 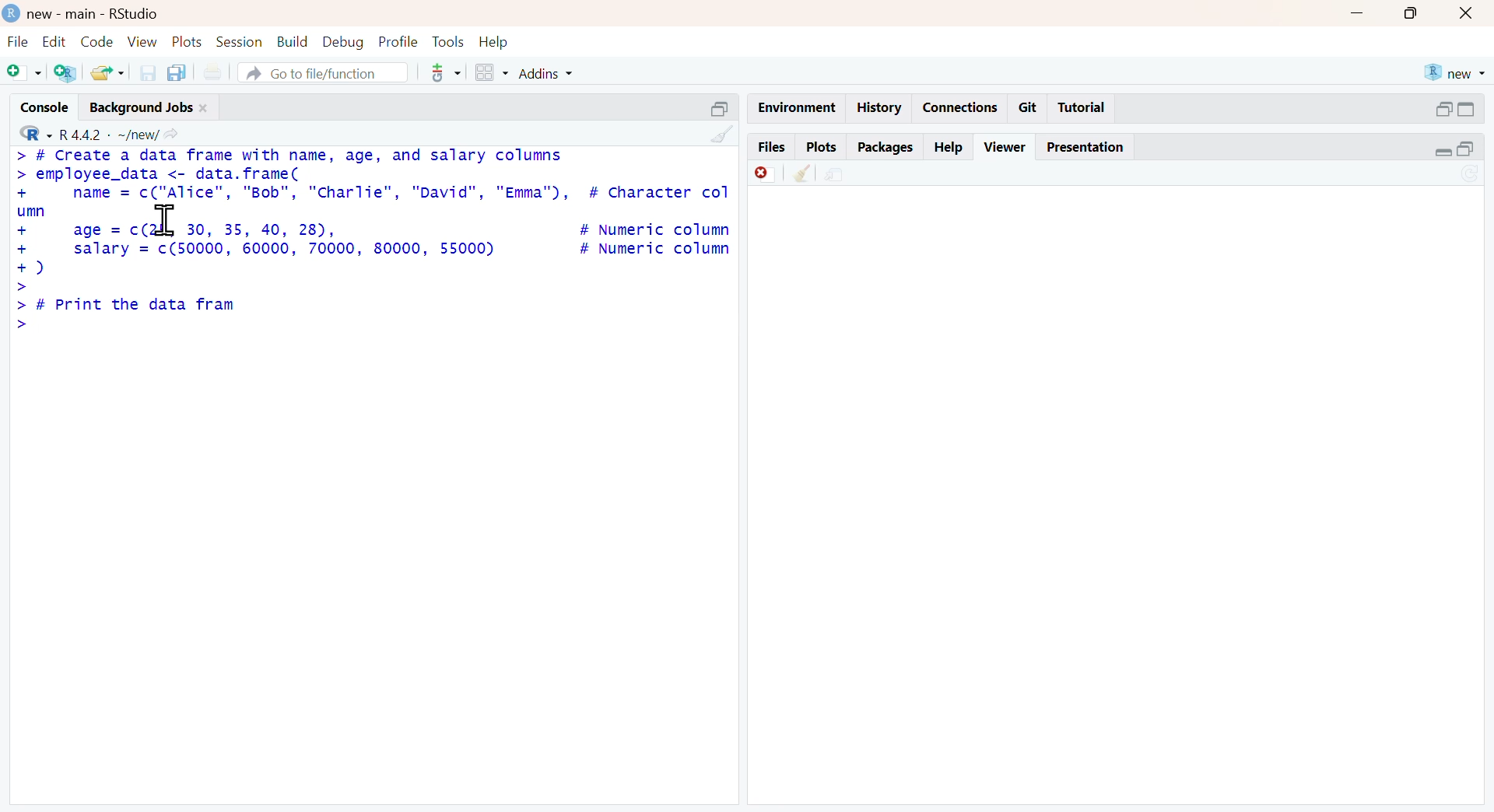 I want to click on Environment, so click(x=791, y=104).